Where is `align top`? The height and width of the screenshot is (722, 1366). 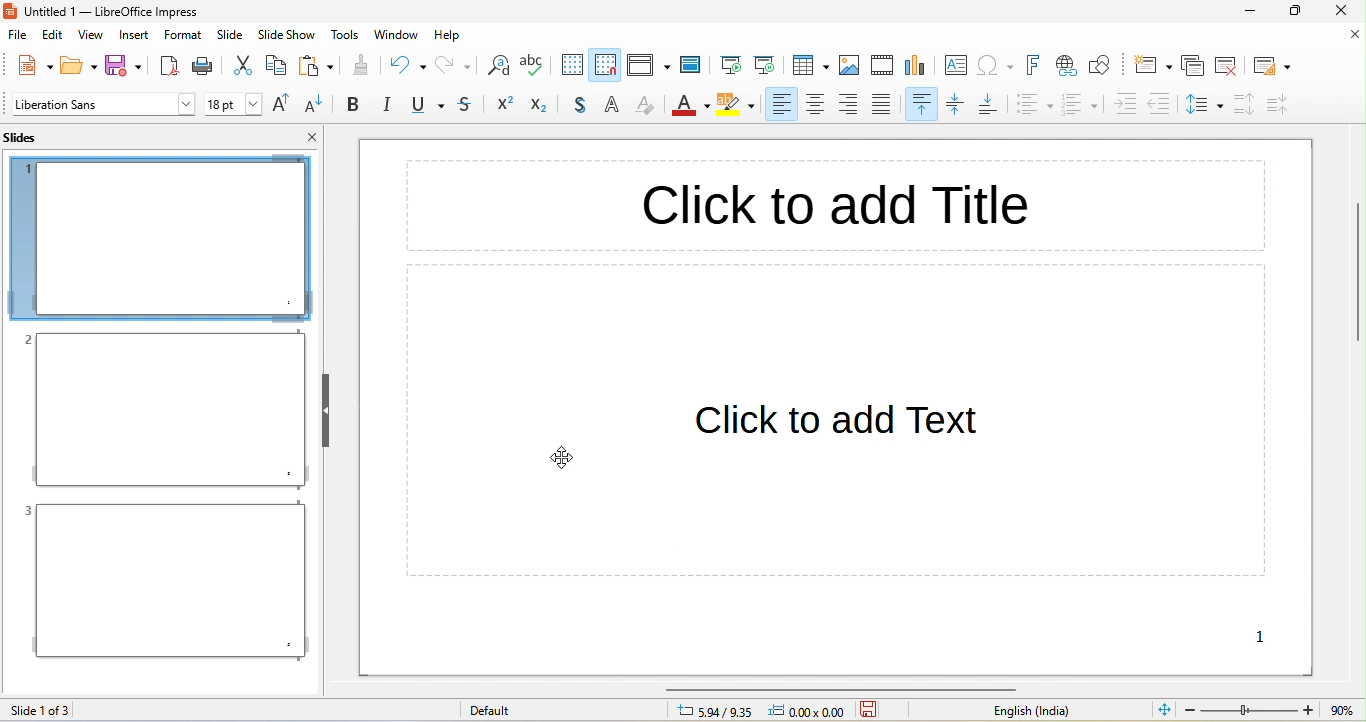
align top is located at coordinates (923, 105).